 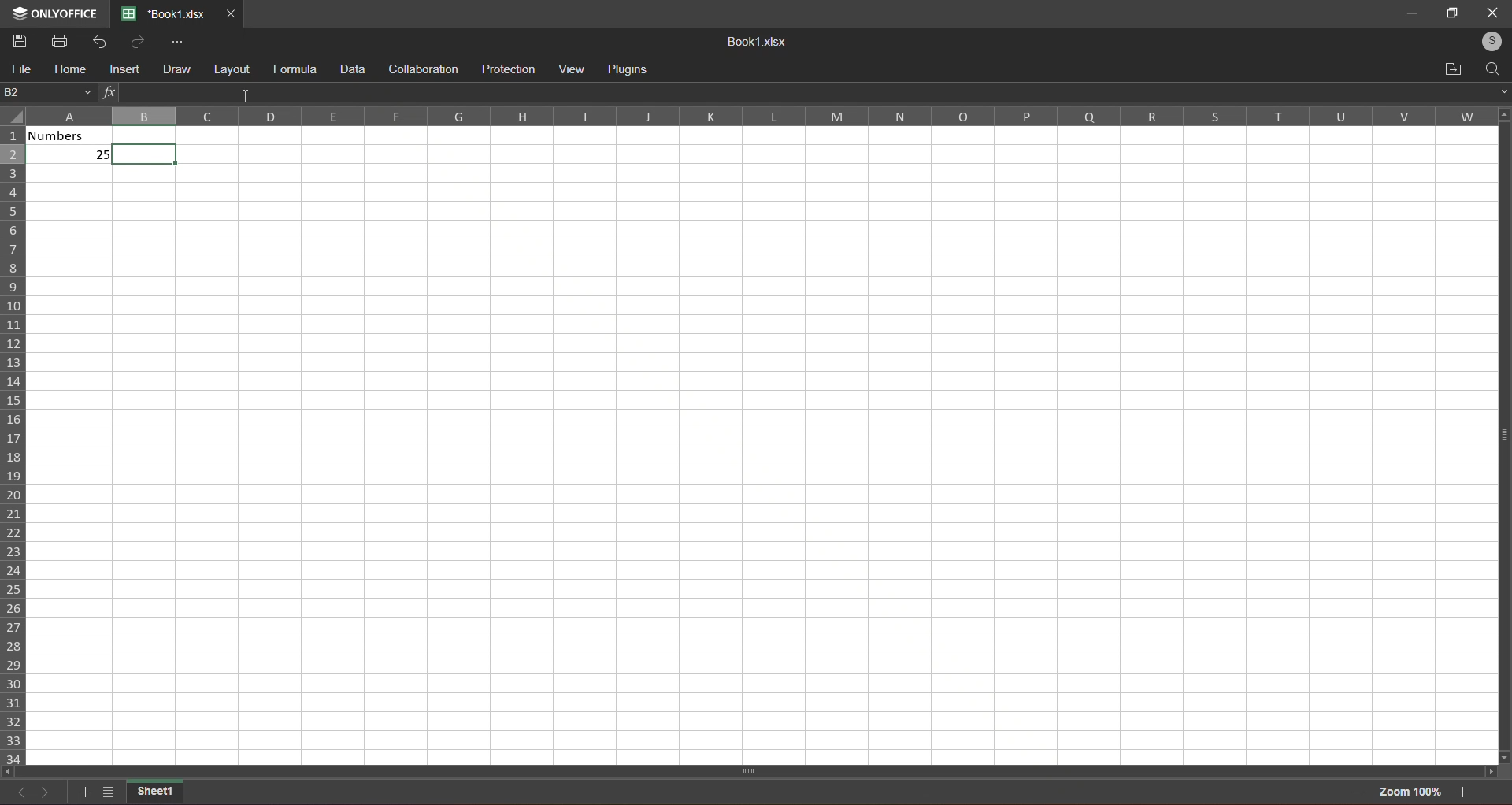 What do you see at coordinates (1357, 791) in the screenshot?
I see `zoom out` at bounding box center [1357, 791].